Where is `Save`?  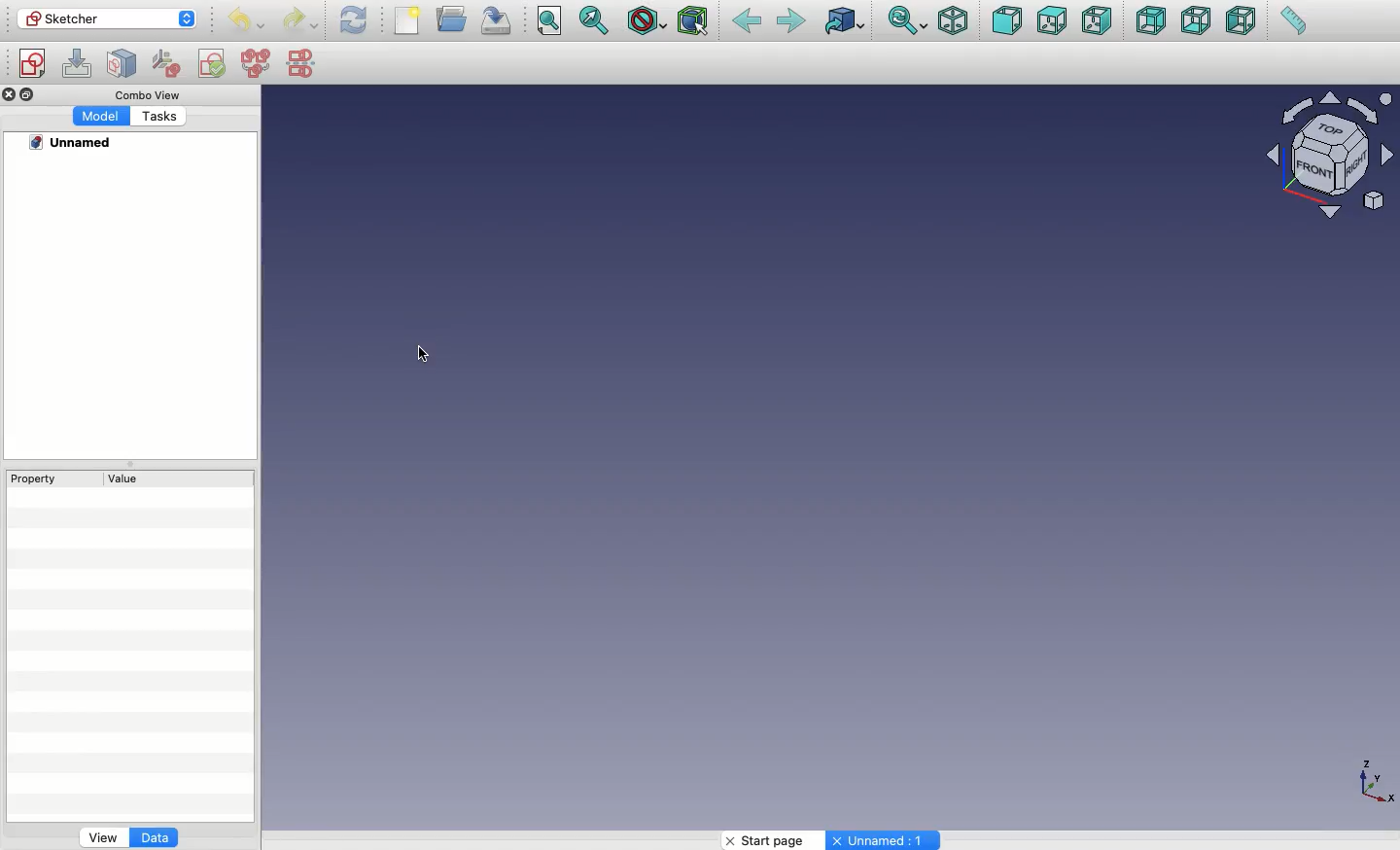 Save is located at coordinates (496, 19).